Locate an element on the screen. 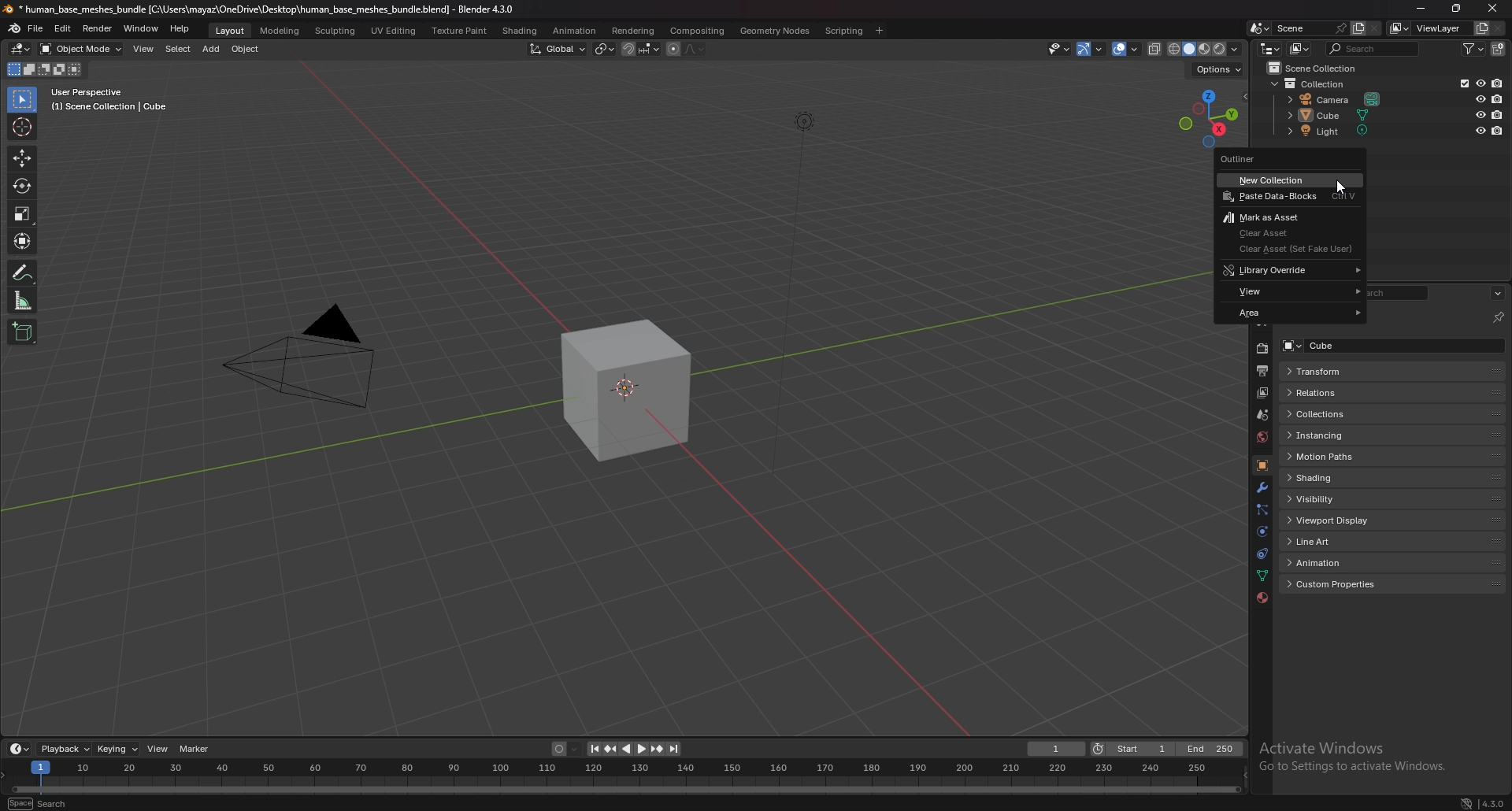 The width and height of the screenshot is (1512, 811). hide in viewport is located at coordinates (1480, 98).